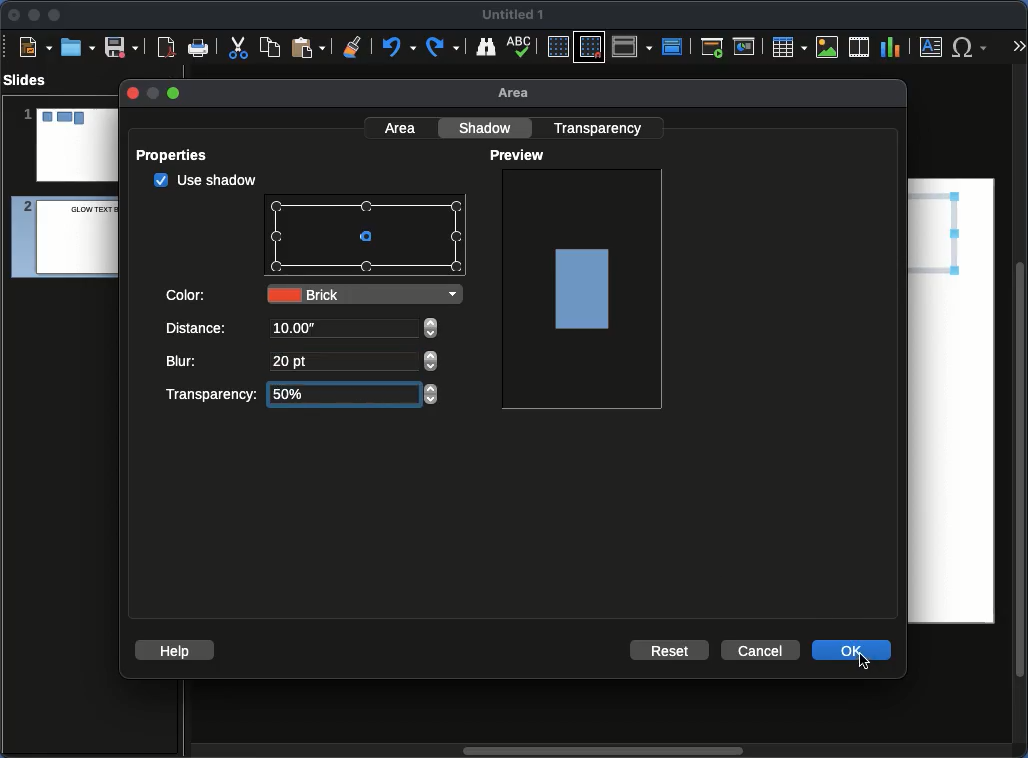  Describe the element at coordinates (131, 93) in the screenshot. I see `close` at that location.